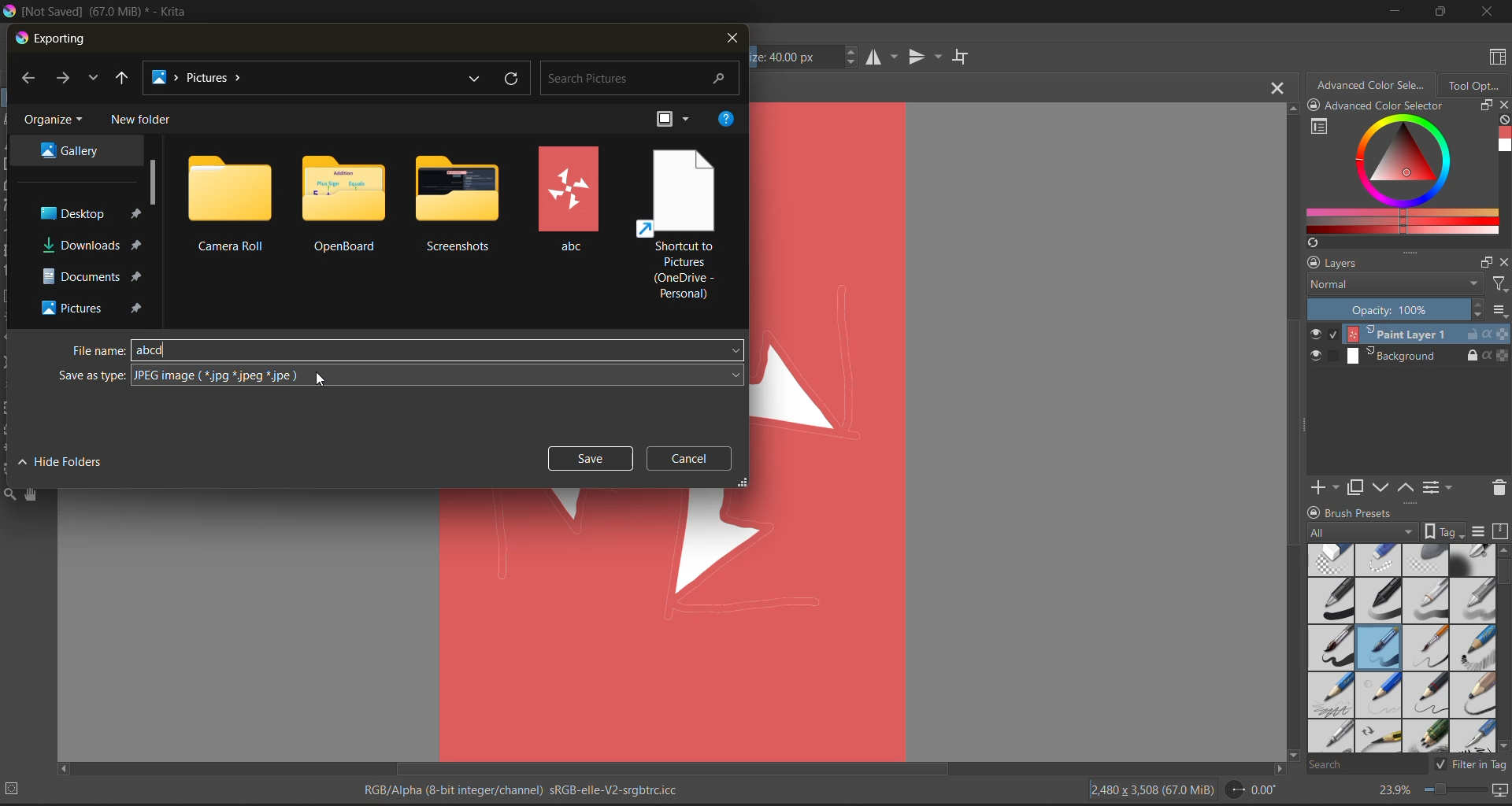  What do you see at coordinates (31, 494) in the screenshot?
I see `tools` at bounding box center [31, 494].